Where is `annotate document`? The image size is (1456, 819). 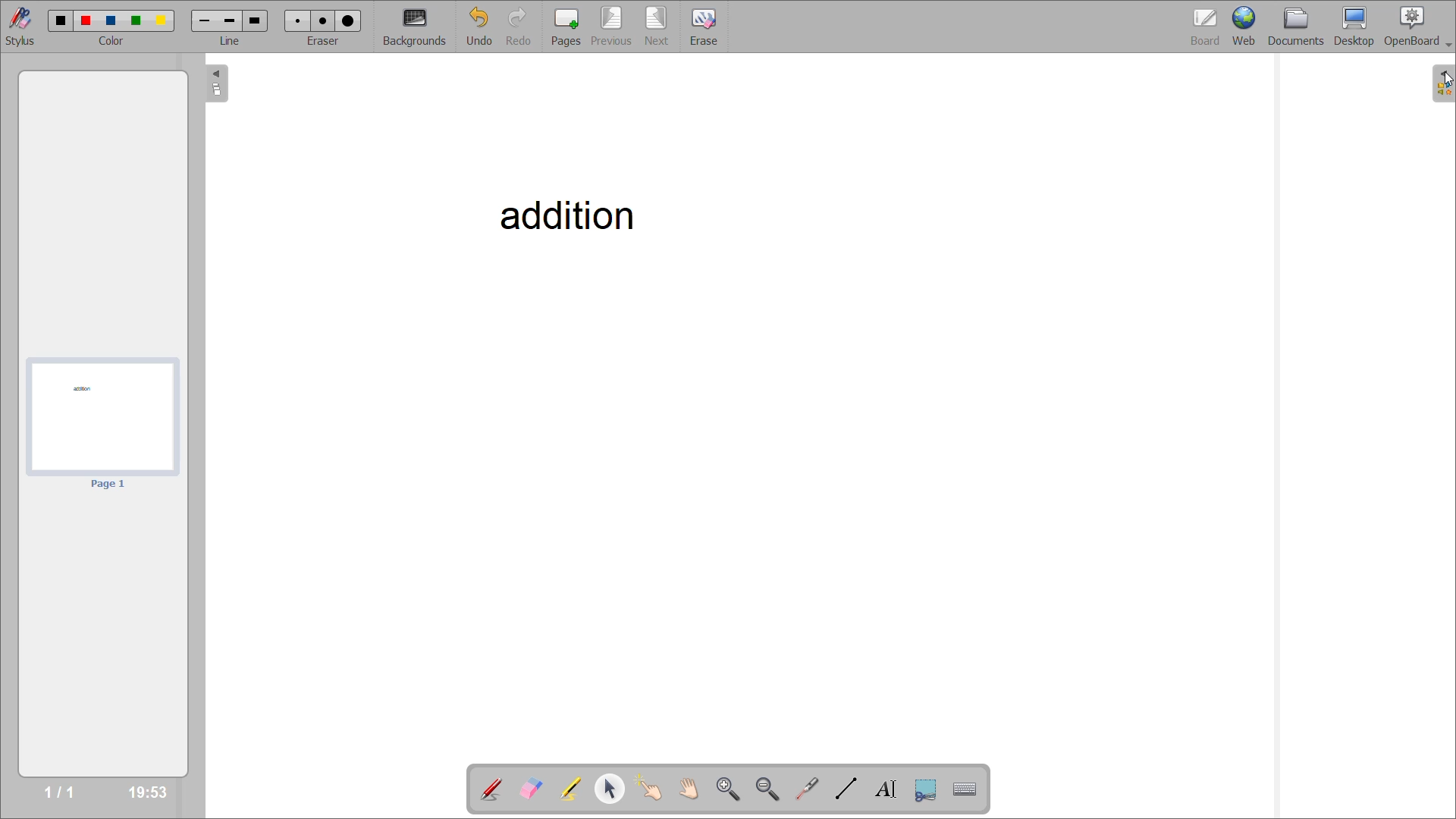
annotate document is located at coordinates (489, 791).